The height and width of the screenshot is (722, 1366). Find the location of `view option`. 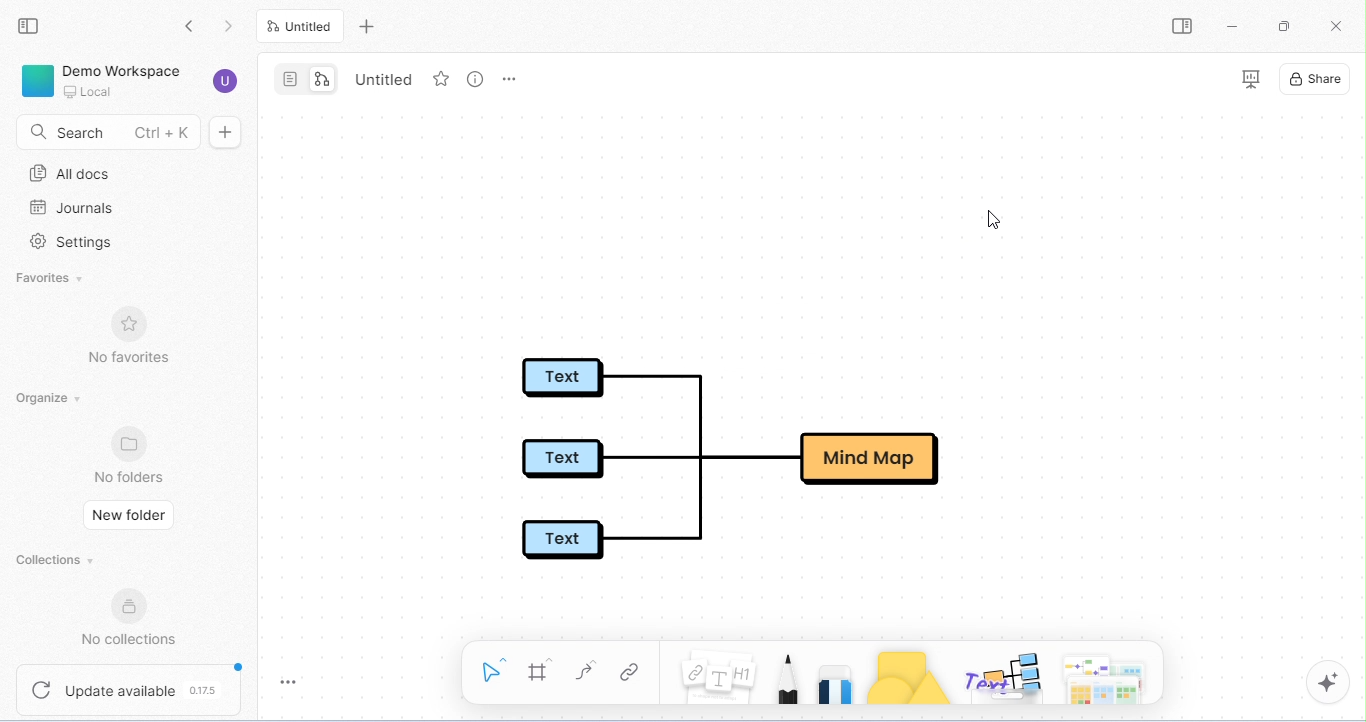

view option is located at coordinates (477, 83).